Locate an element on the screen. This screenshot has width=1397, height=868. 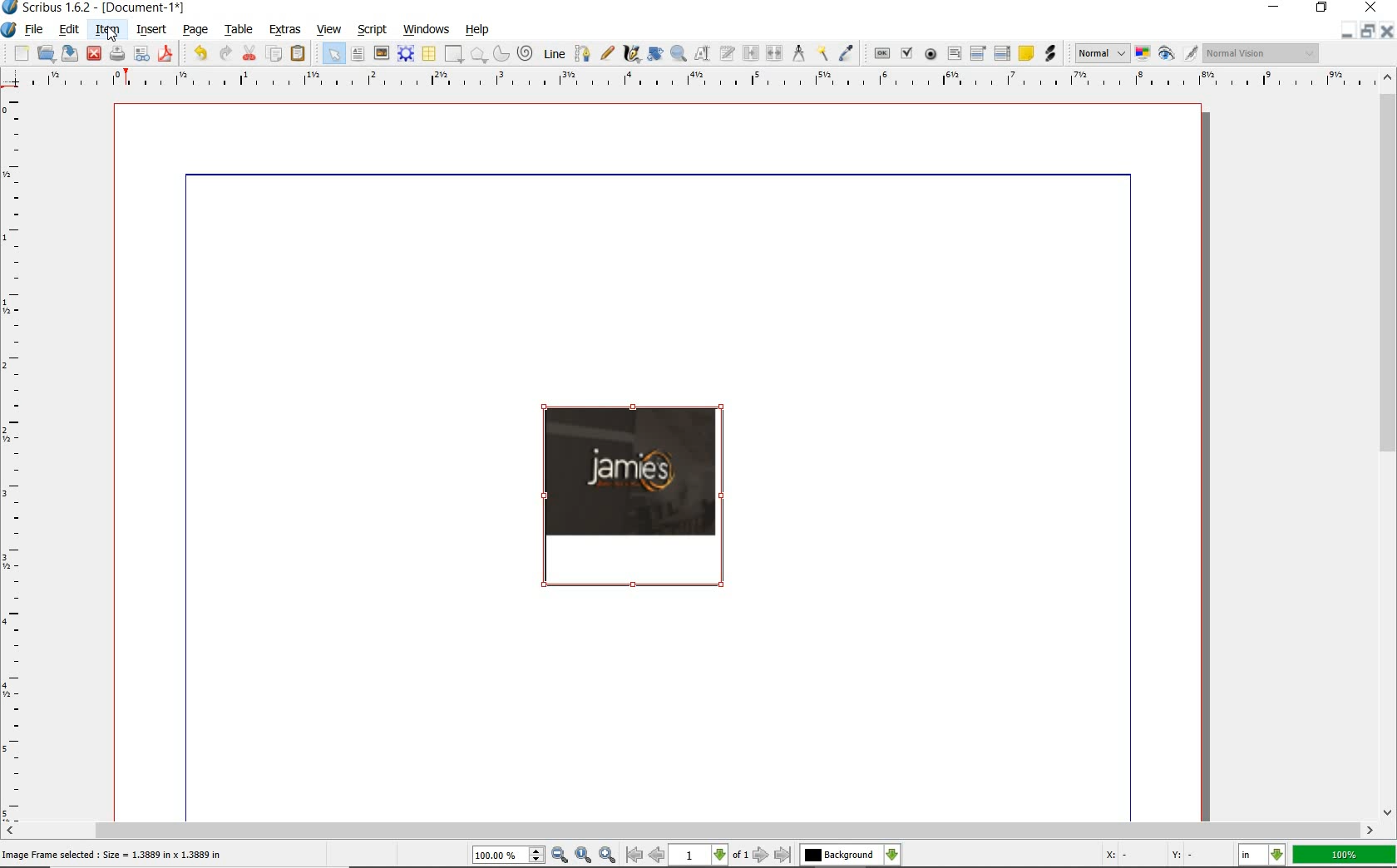
paste is located at coordinates (299, 53).